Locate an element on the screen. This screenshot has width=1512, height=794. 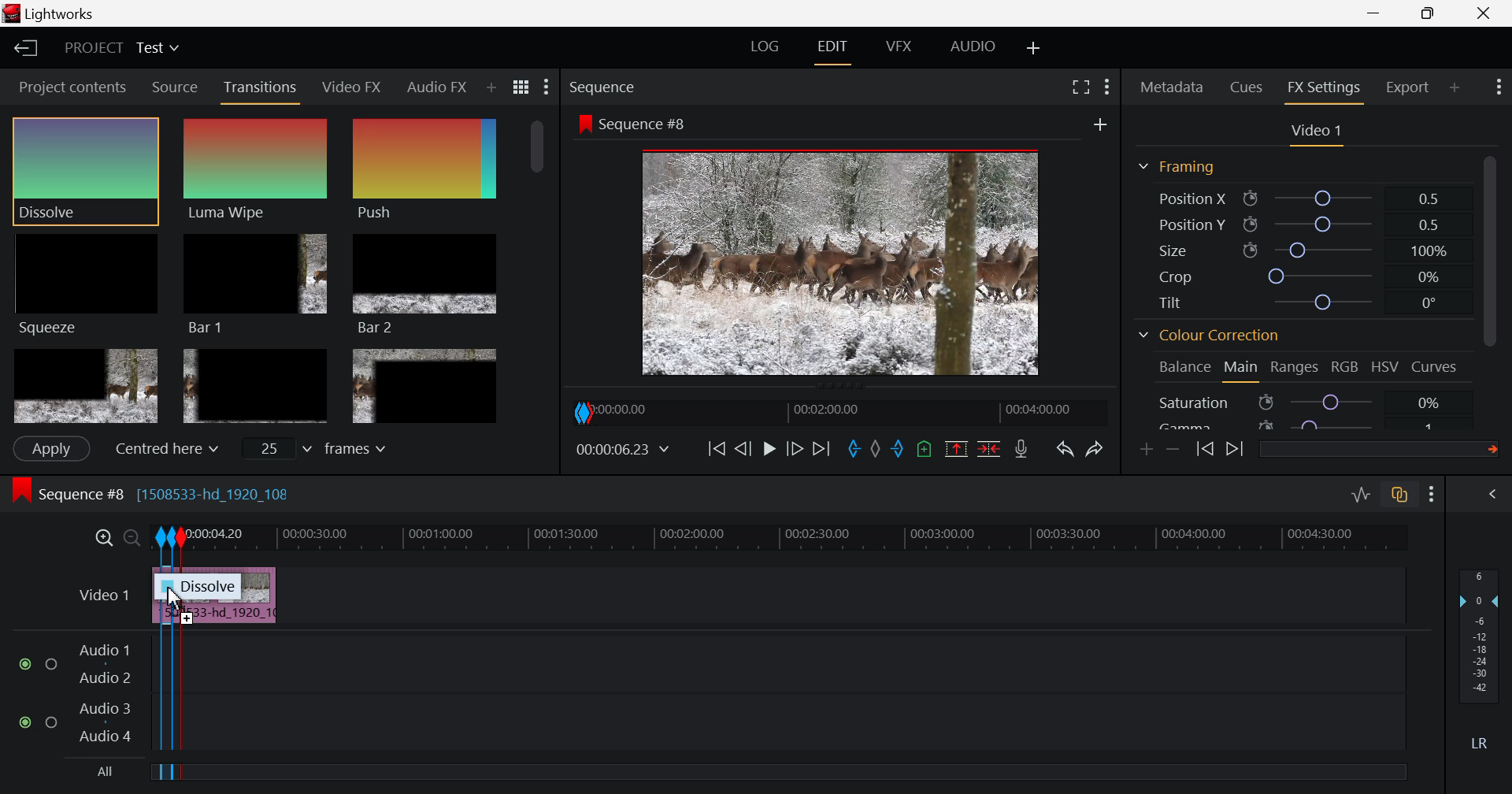
Sequence #8 is located at coordinates (632, 124).